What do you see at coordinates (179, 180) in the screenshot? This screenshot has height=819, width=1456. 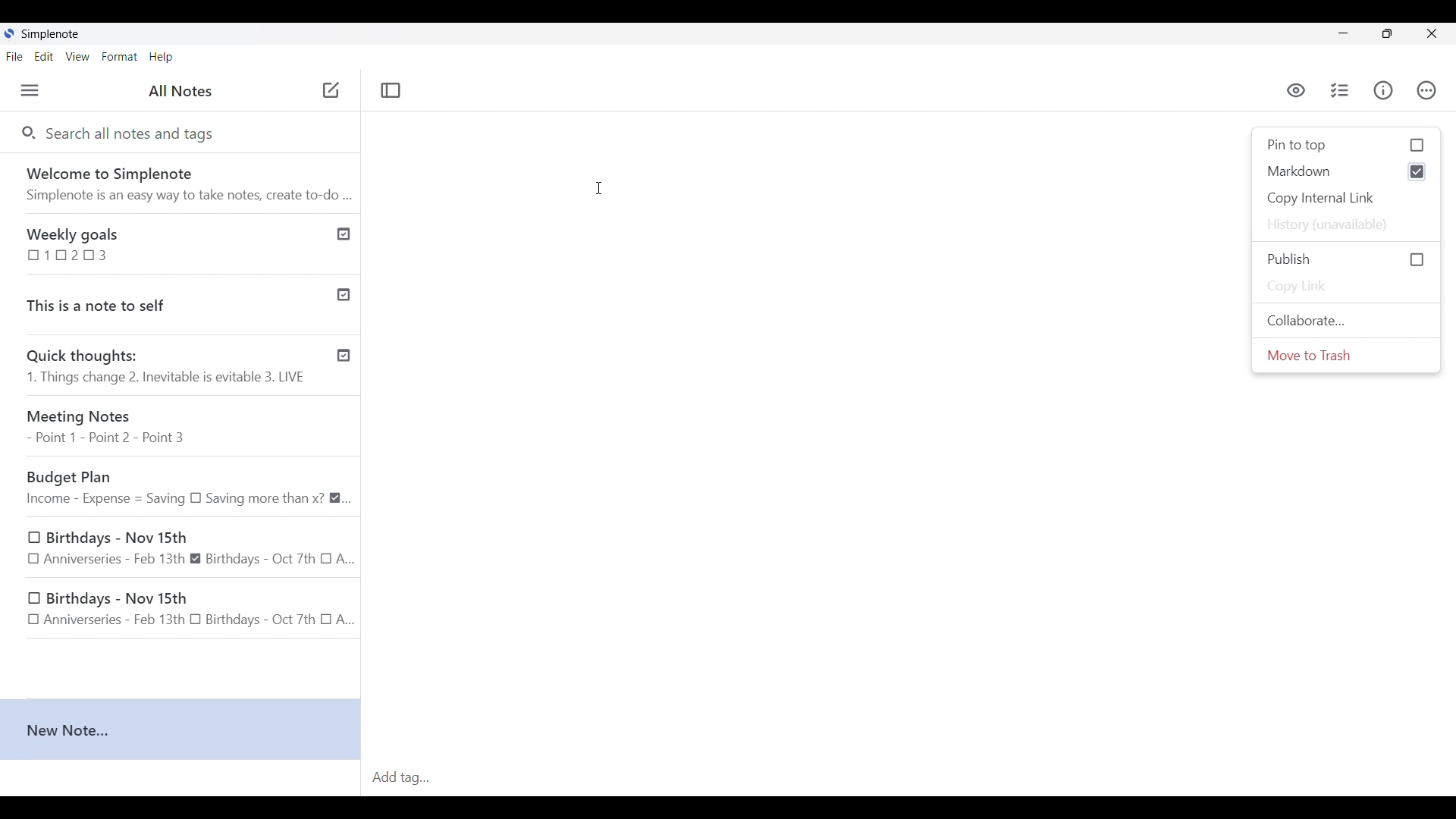 I see `Software welcome note` at bounding box center [179, 180].